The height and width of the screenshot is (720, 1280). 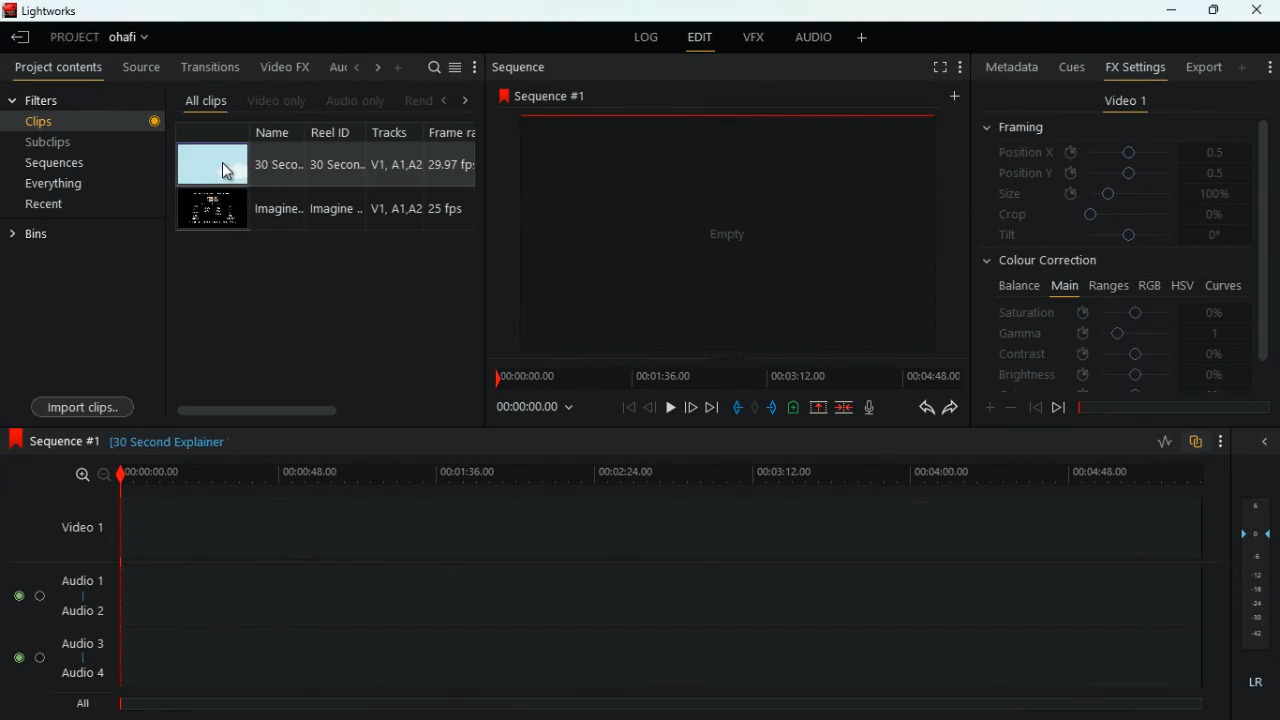 What do you see at coordinates (452, 208) in the screenshot?
I see `25 fps` at bounding box center [452, 208].